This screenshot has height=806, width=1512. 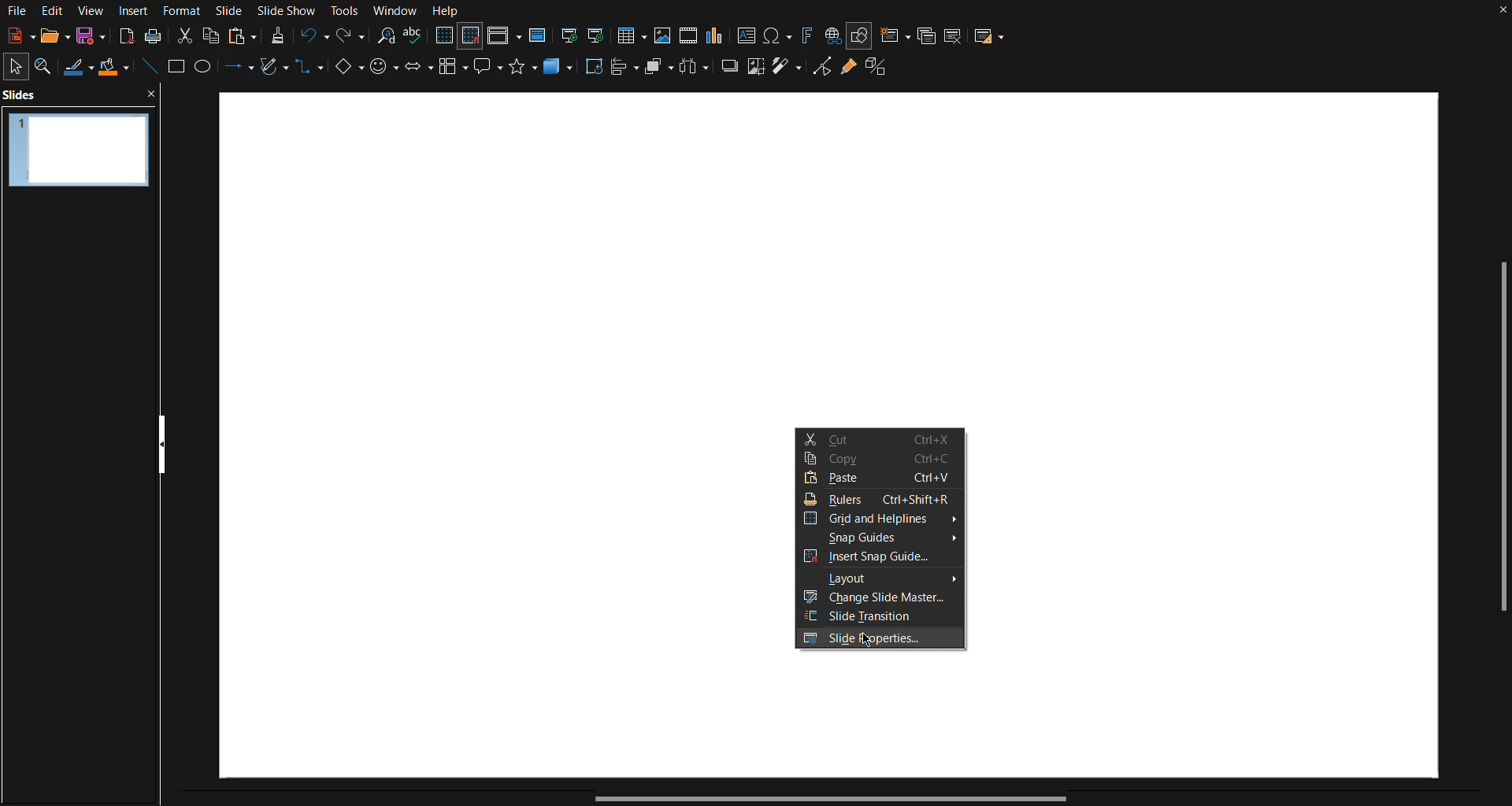 I want to click on Change Slide Master, so click(x=881, y=599).